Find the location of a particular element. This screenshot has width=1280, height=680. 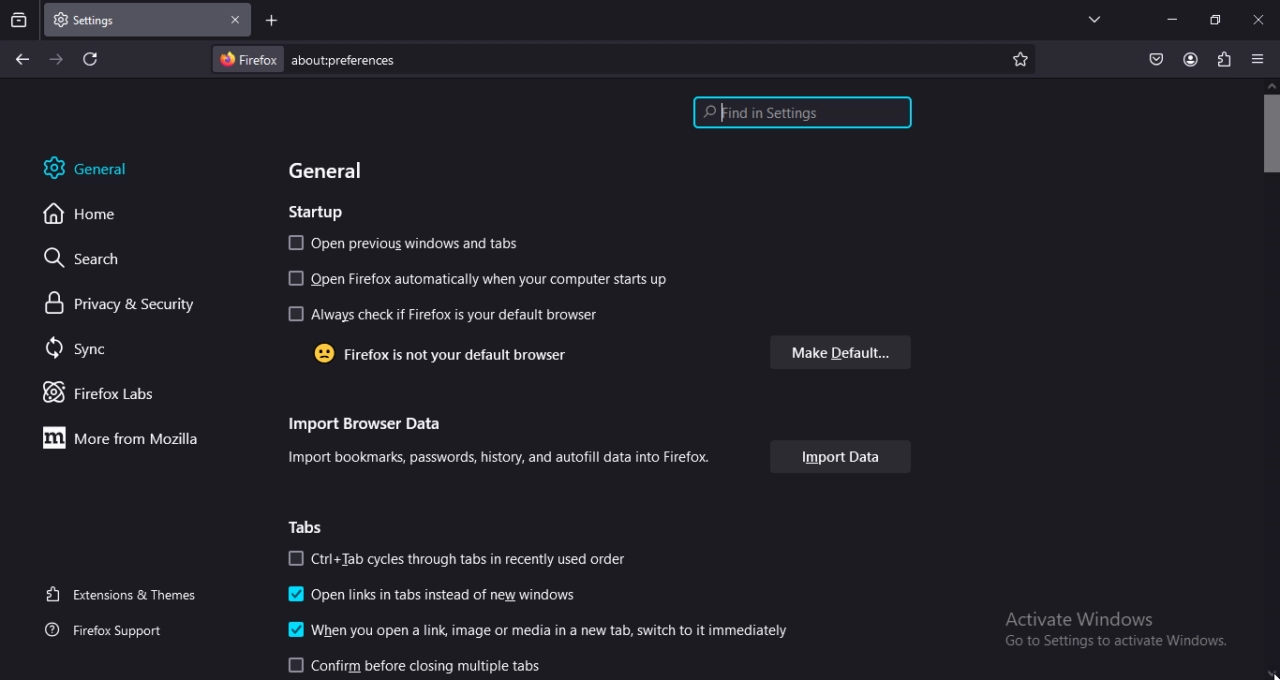

more with firefox is located at coordinates (114, 438).